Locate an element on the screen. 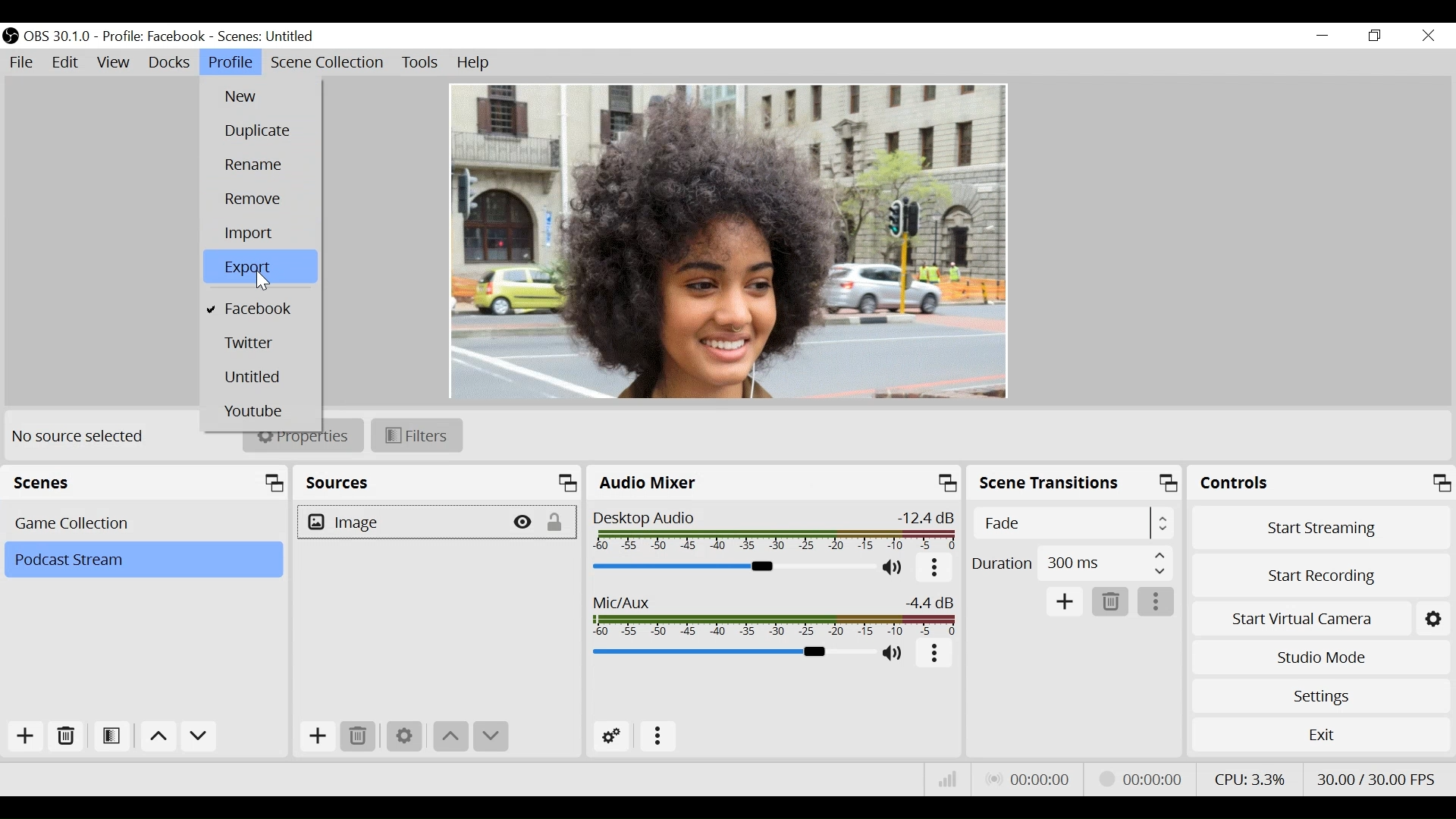 The width and height of the screenshot is (1456, 819). Sources is located at coordinates (438, 482).